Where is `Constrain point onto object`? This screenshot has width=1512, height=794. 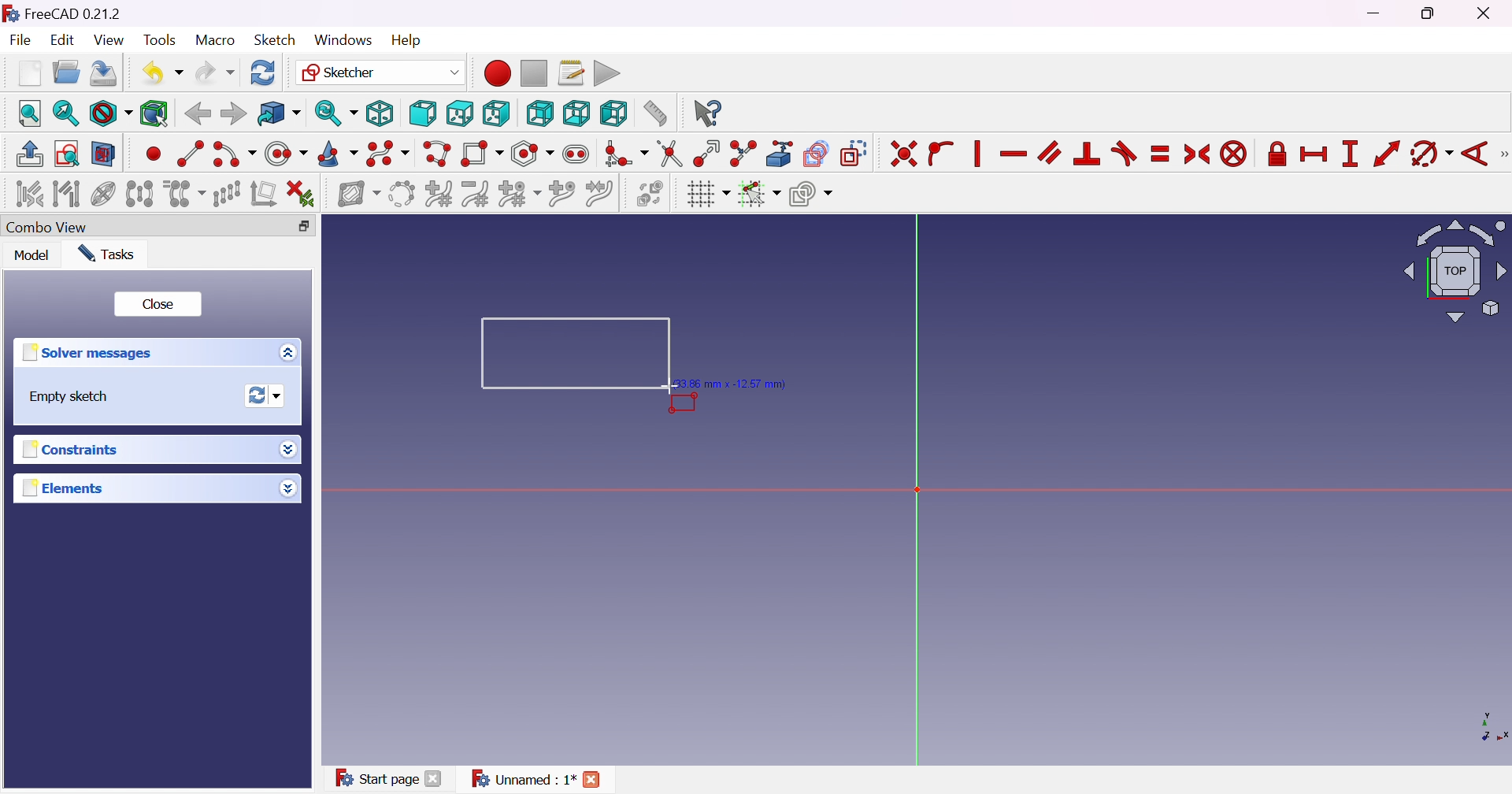 Constrain point onto object is located at coordinates (943, 155).